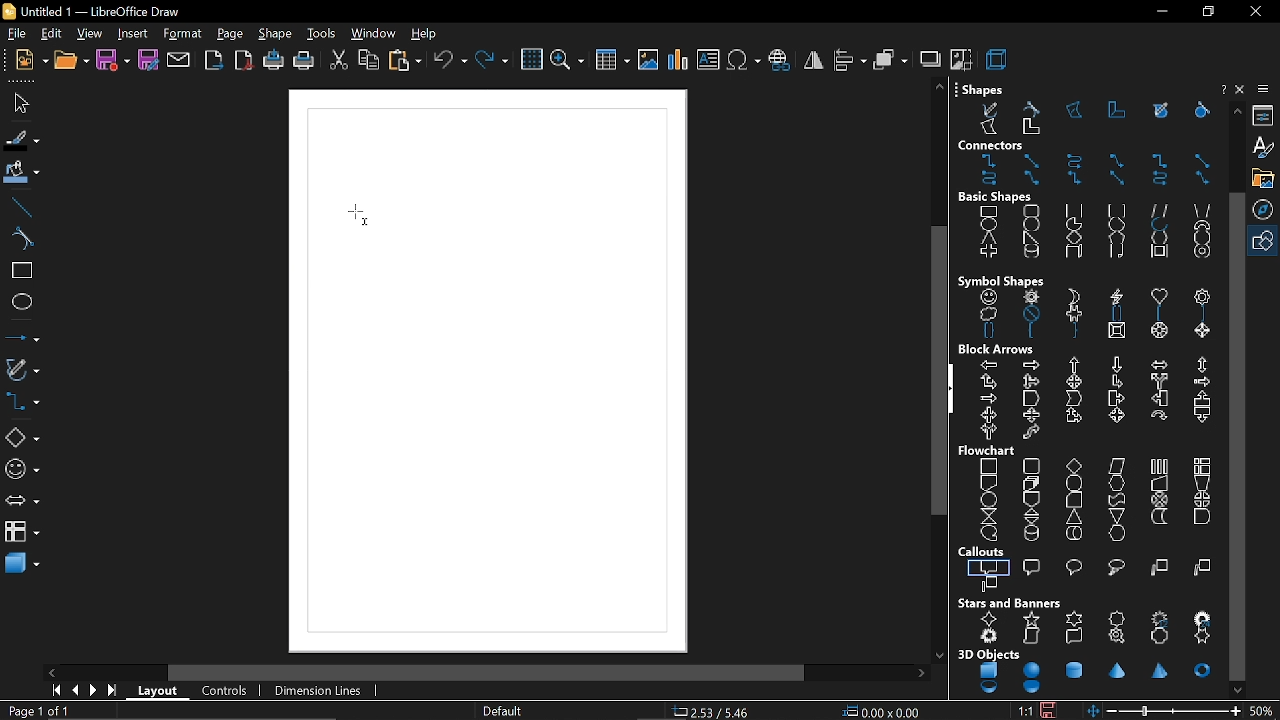 The width and height of the screenshot is (1280, 720). Describe the element at coordinates (951, 390) in the screenshot. I see `hide` at that location.